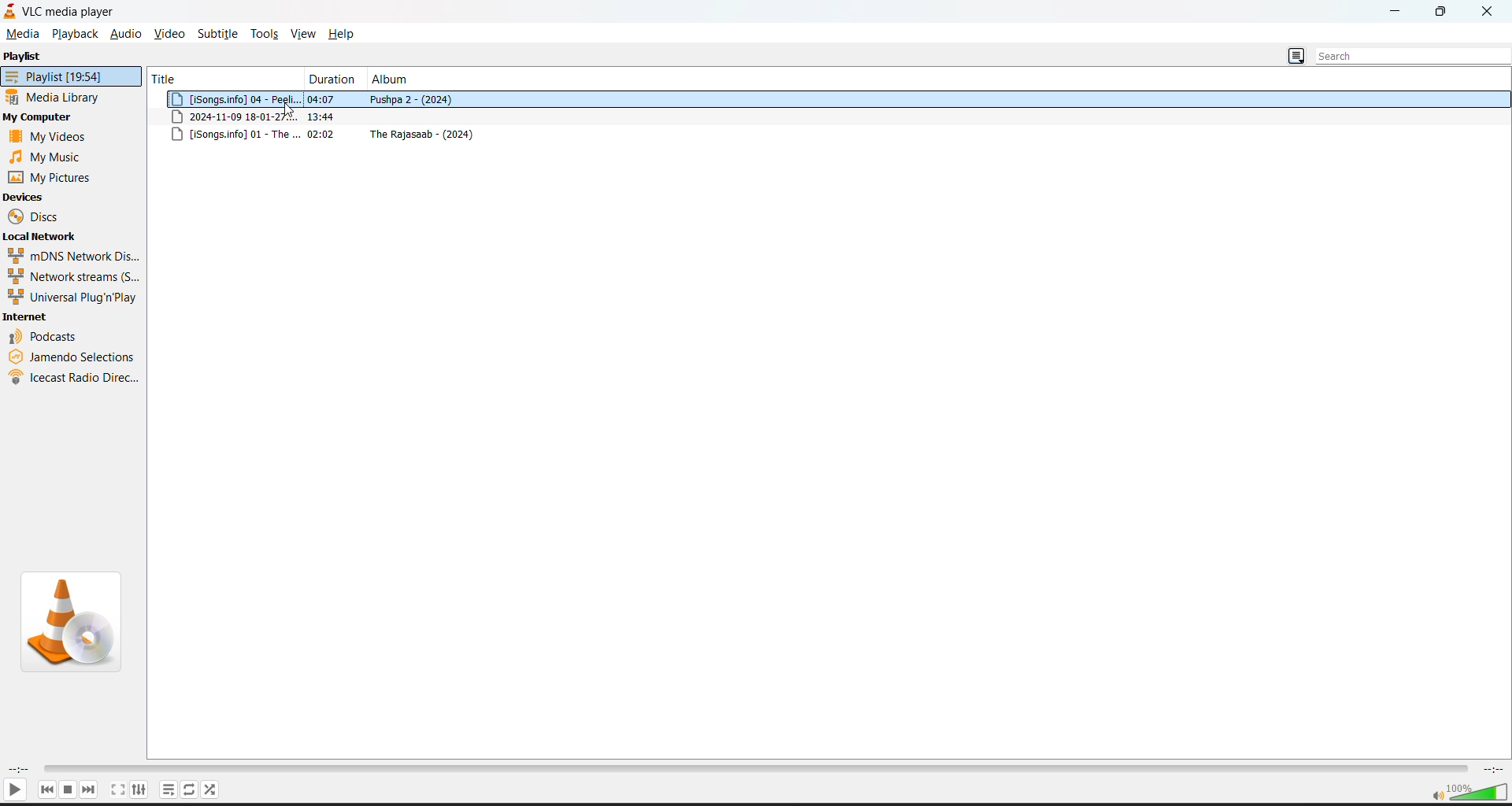 This screenshot has width=1512, height=806. What do you see at coordinates (15, 790) in the screenshot?
I see `play` at bounding box center [15, 790].